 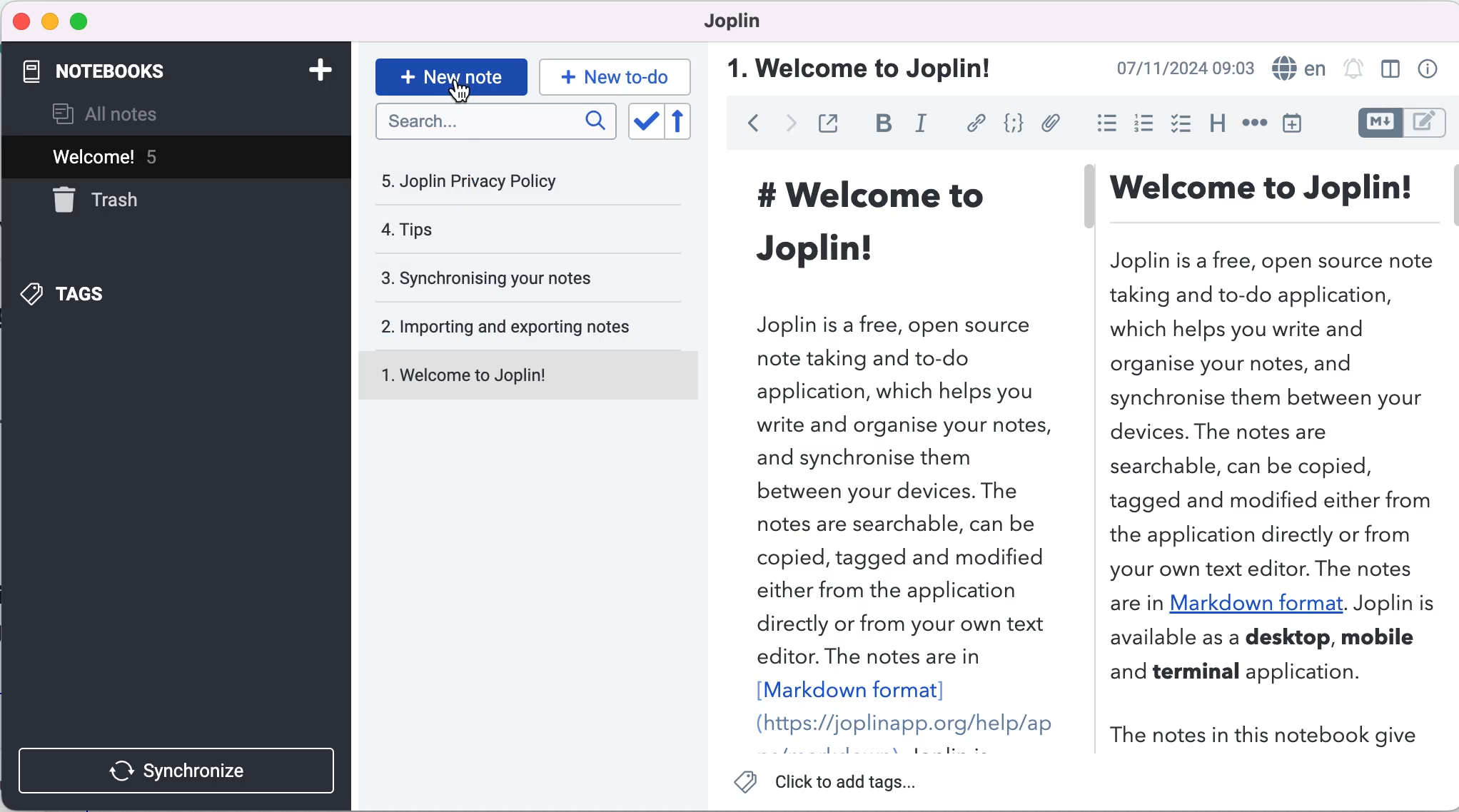 I want to click on minimize, so click(x=50, y=19).